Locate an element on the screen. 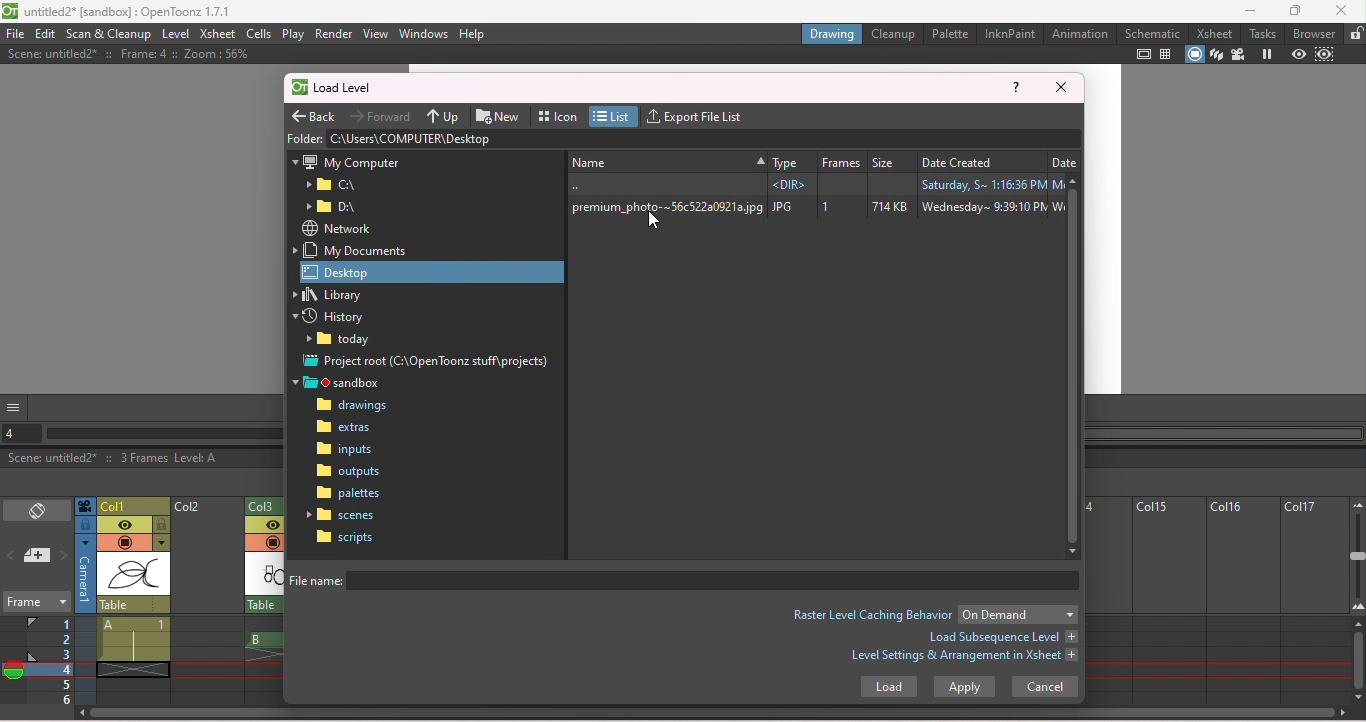  Preview visibility toggle is located at coordinates (124, 525).